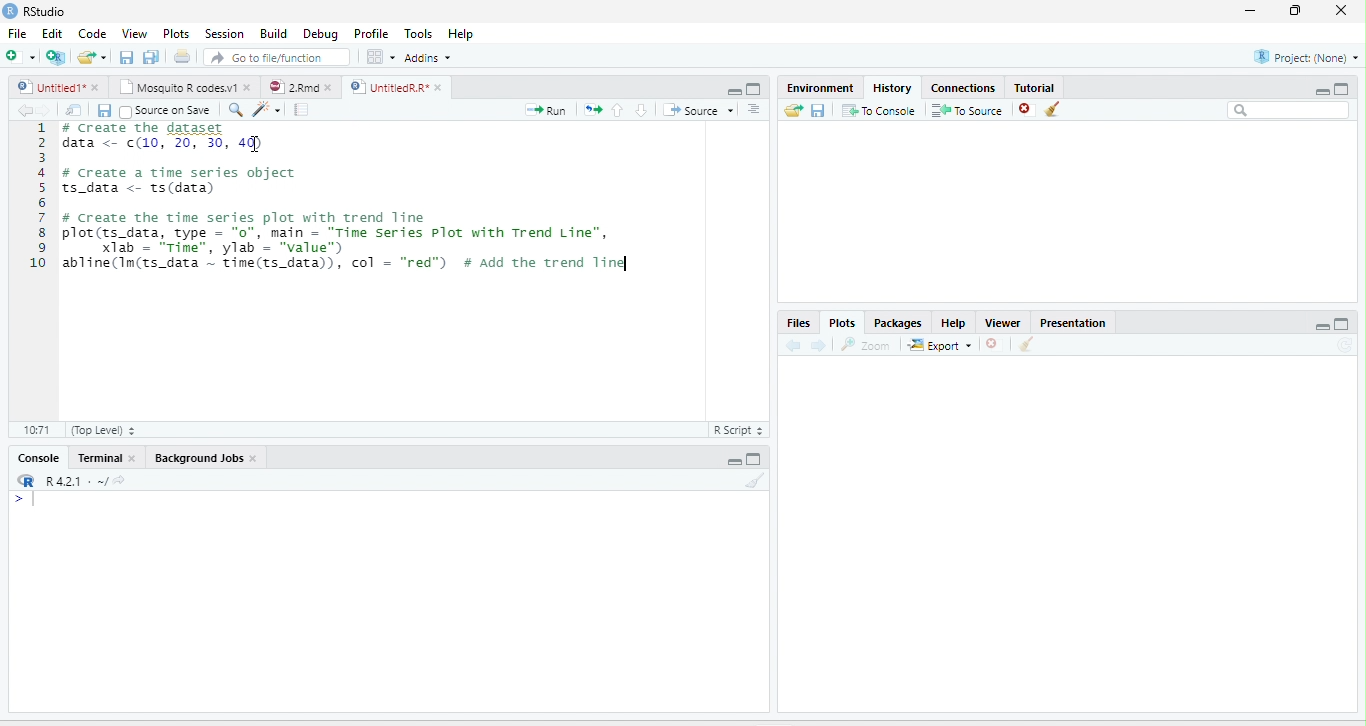 Image resolution: width=1366 pixels, height=726 pixels. I want to click on Search bar, so click(1288, 110).